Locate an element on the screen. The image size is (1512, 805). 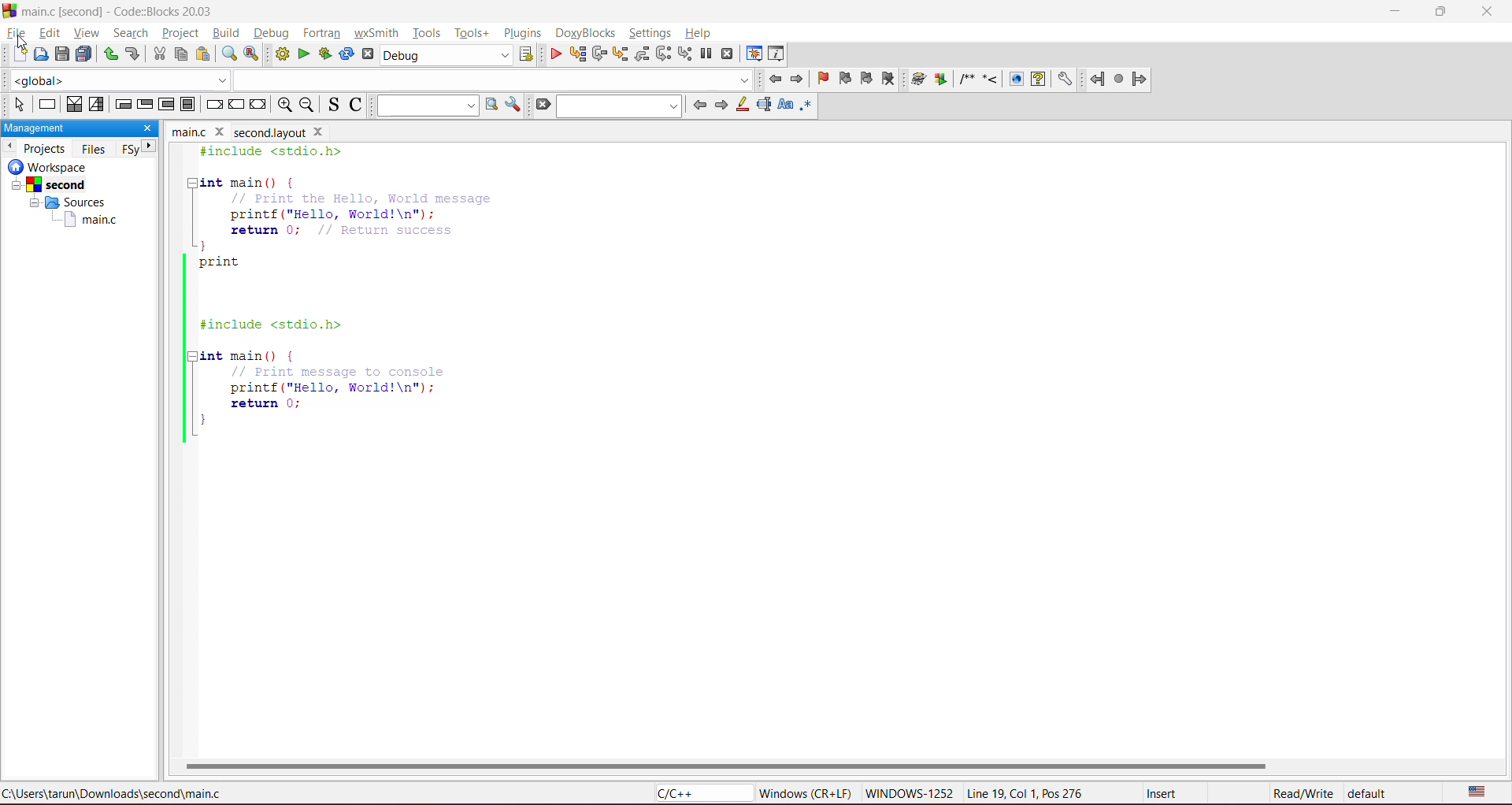
toggle bookmark is located at coordinates (823, 78).